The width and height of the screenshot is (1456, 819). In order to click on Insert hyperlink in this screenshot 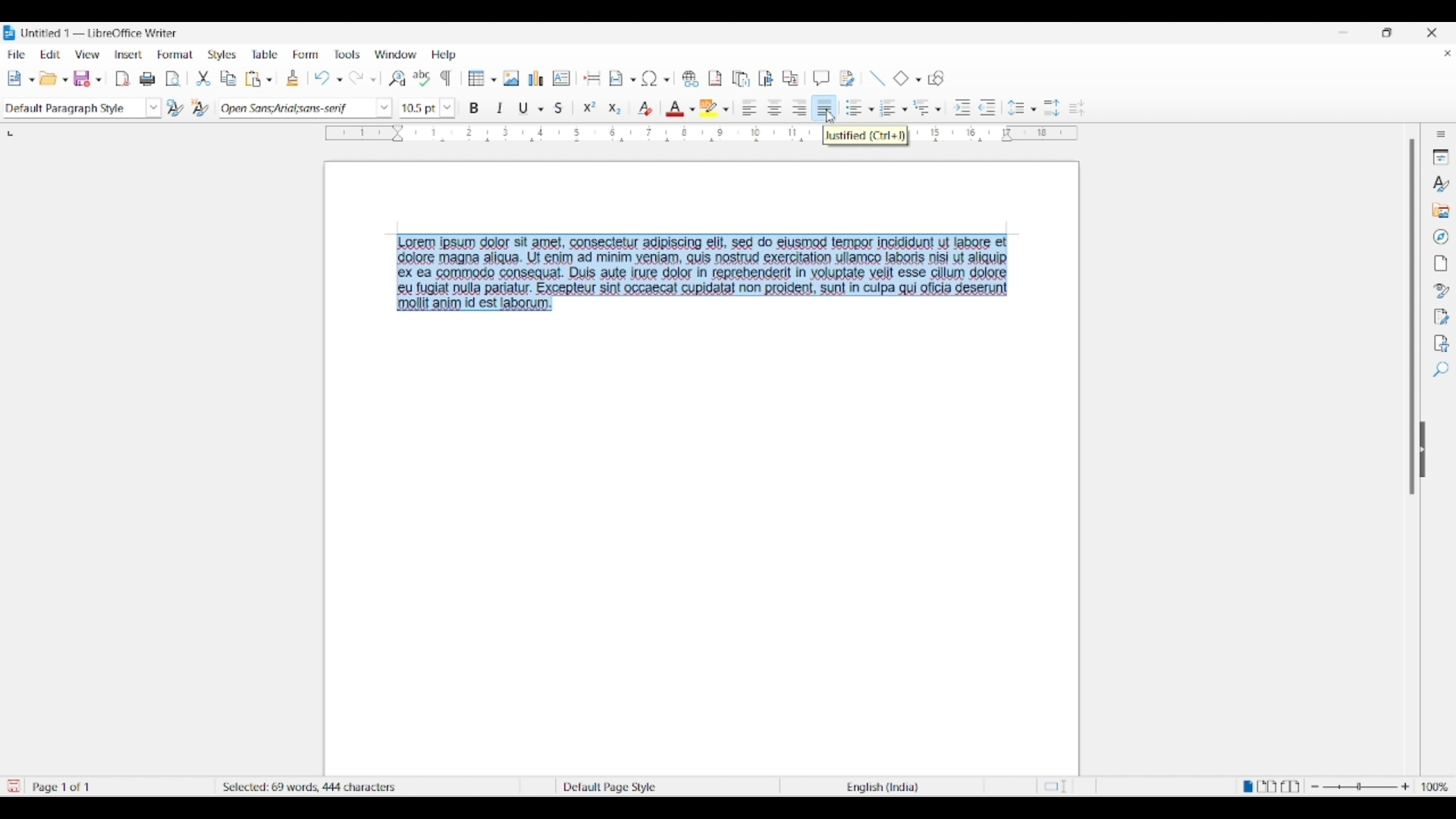, I will do `click(690, 79)`.